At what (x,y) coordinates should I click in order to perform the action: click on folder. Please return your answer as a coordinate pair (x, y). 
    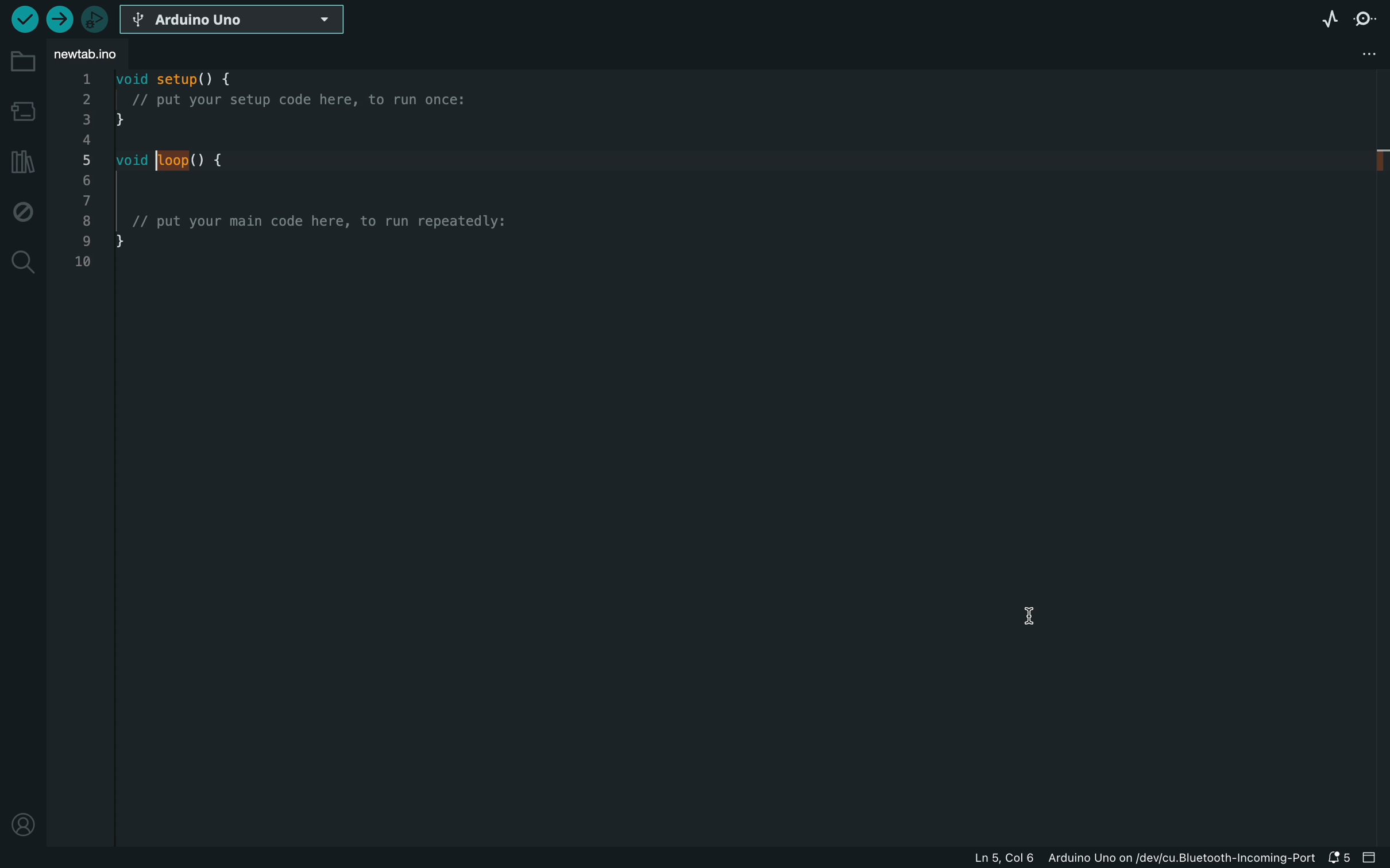
    Looking at the image, I should click on (22, 69).